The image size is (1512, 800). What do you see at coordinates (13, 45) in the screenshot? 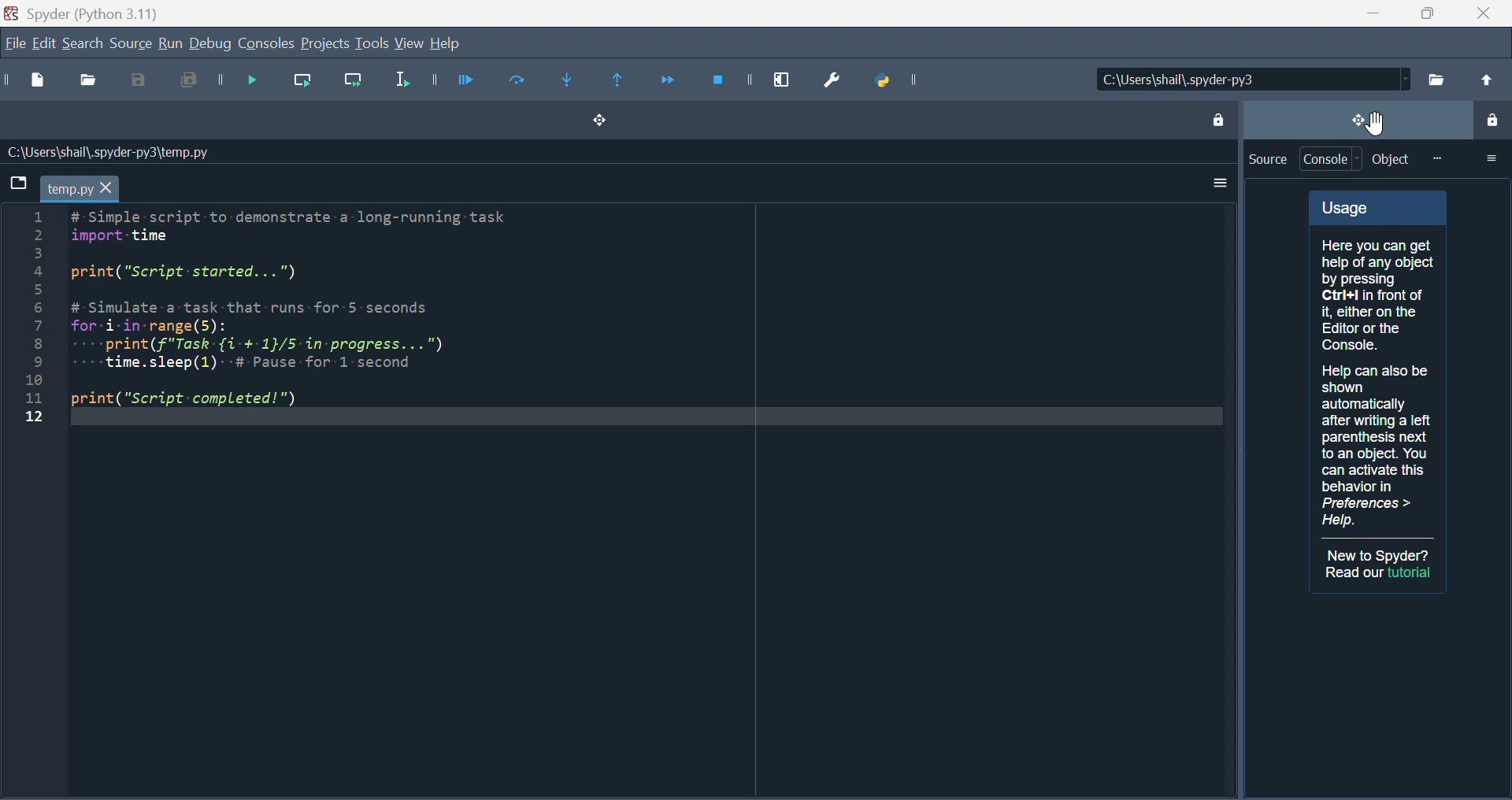
I see `File` at bounding box center [13, 45].